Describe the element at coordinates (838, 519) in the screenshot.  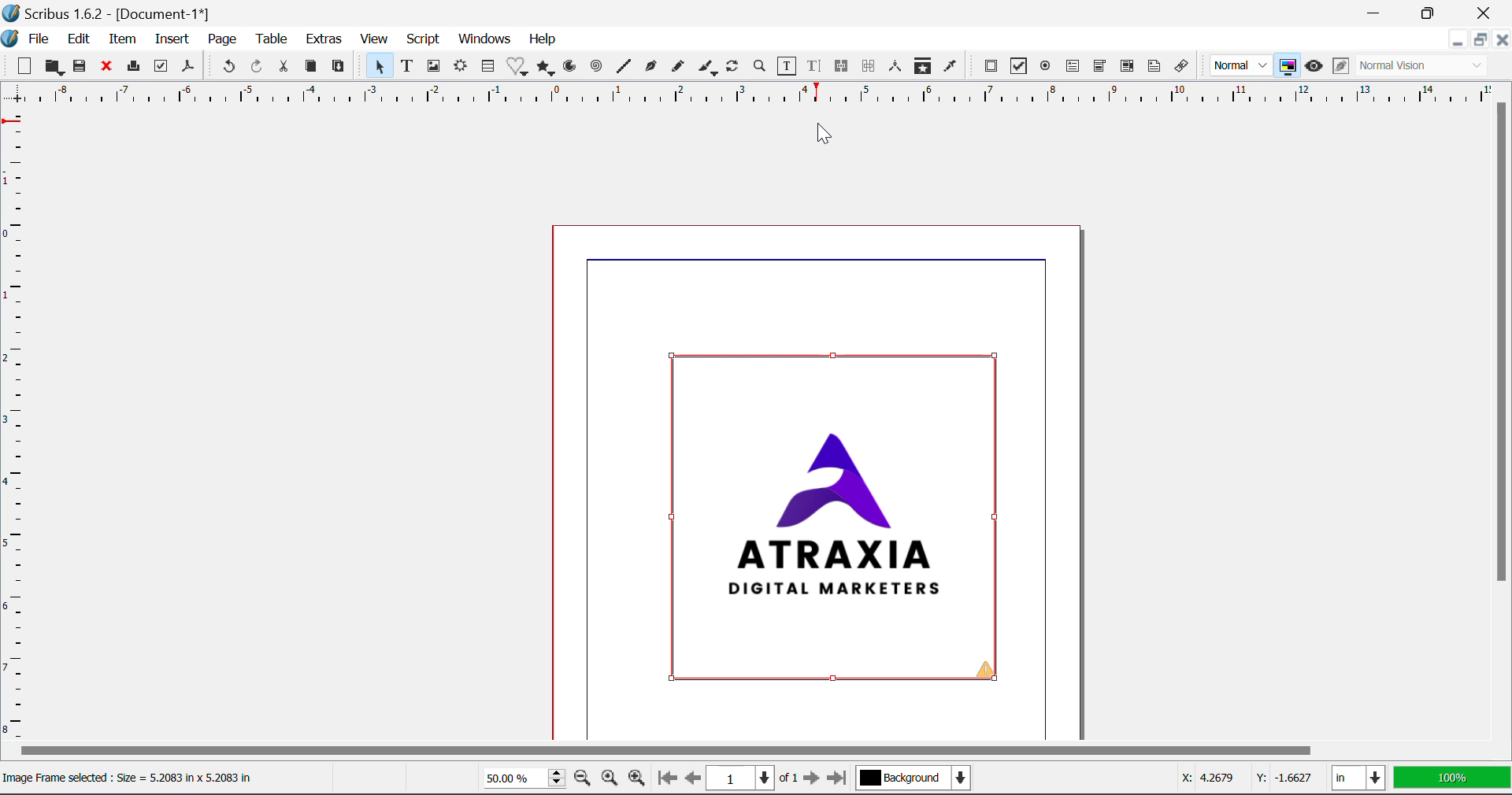
I see `Resized Image` at that location.